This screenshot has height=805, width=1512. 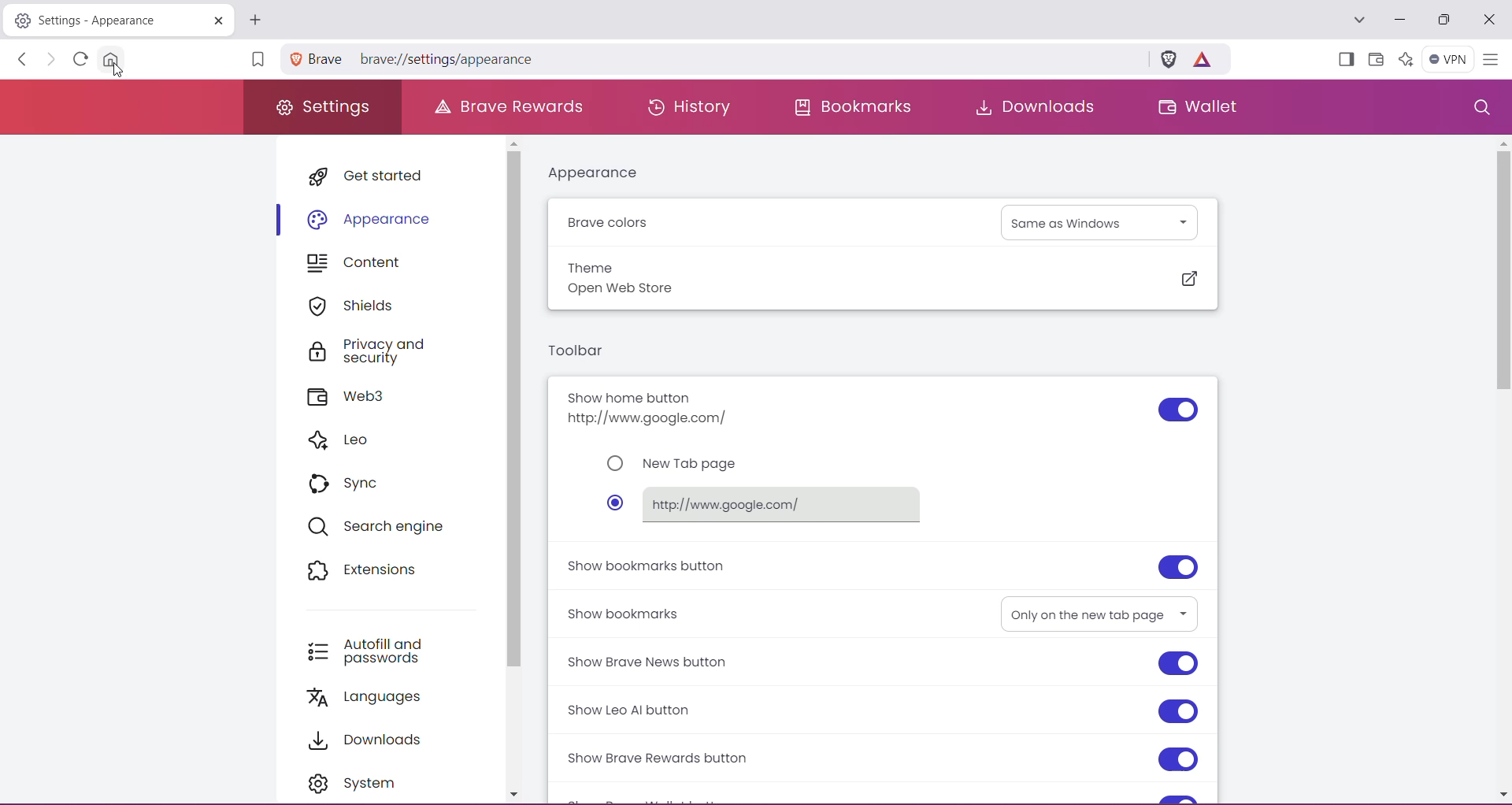 I want to click on Downloads, so click(x=1030, y=106).